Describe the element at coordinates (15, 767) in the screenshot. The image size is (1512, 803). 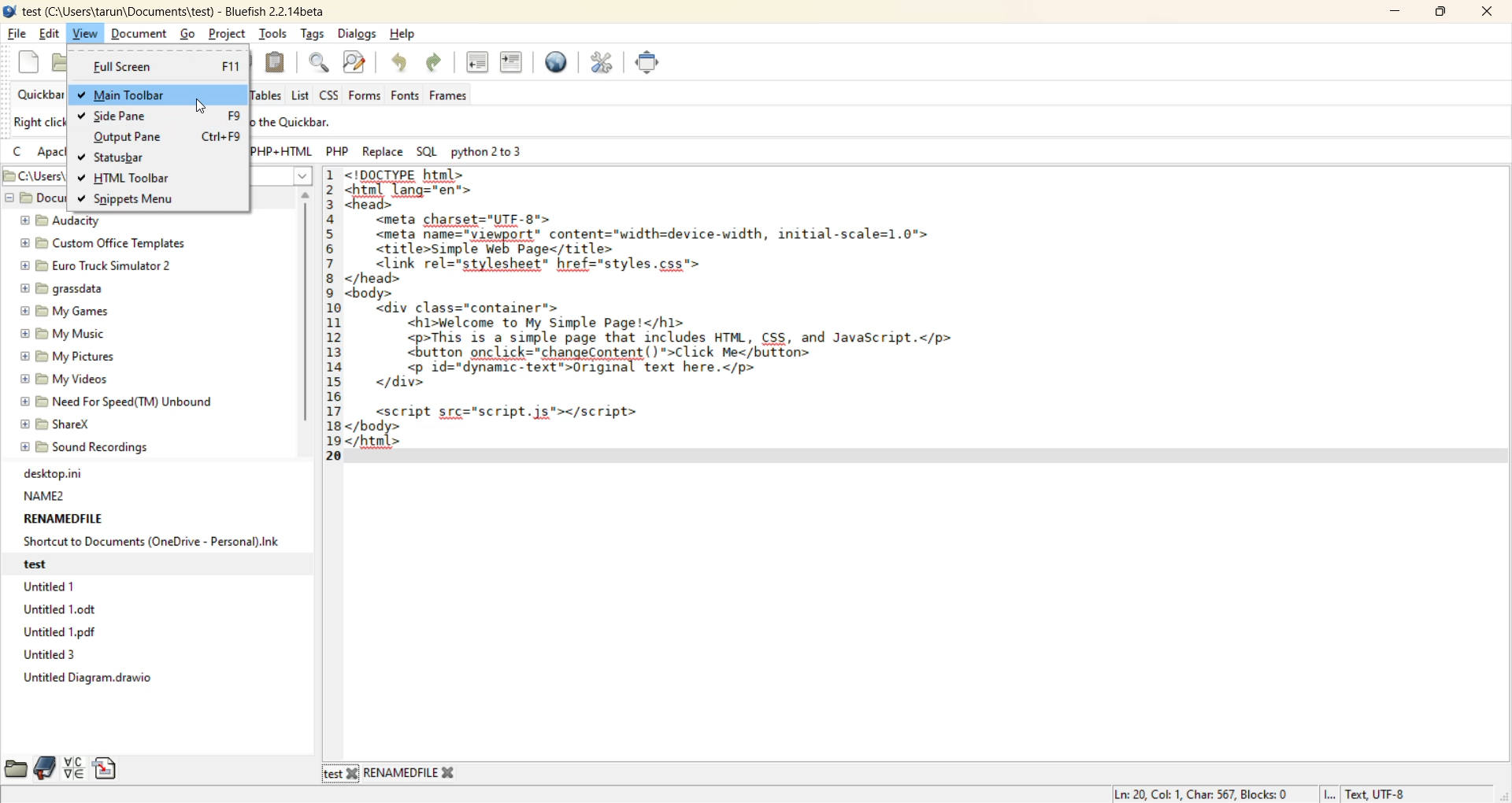
I see `file browser` at that location.